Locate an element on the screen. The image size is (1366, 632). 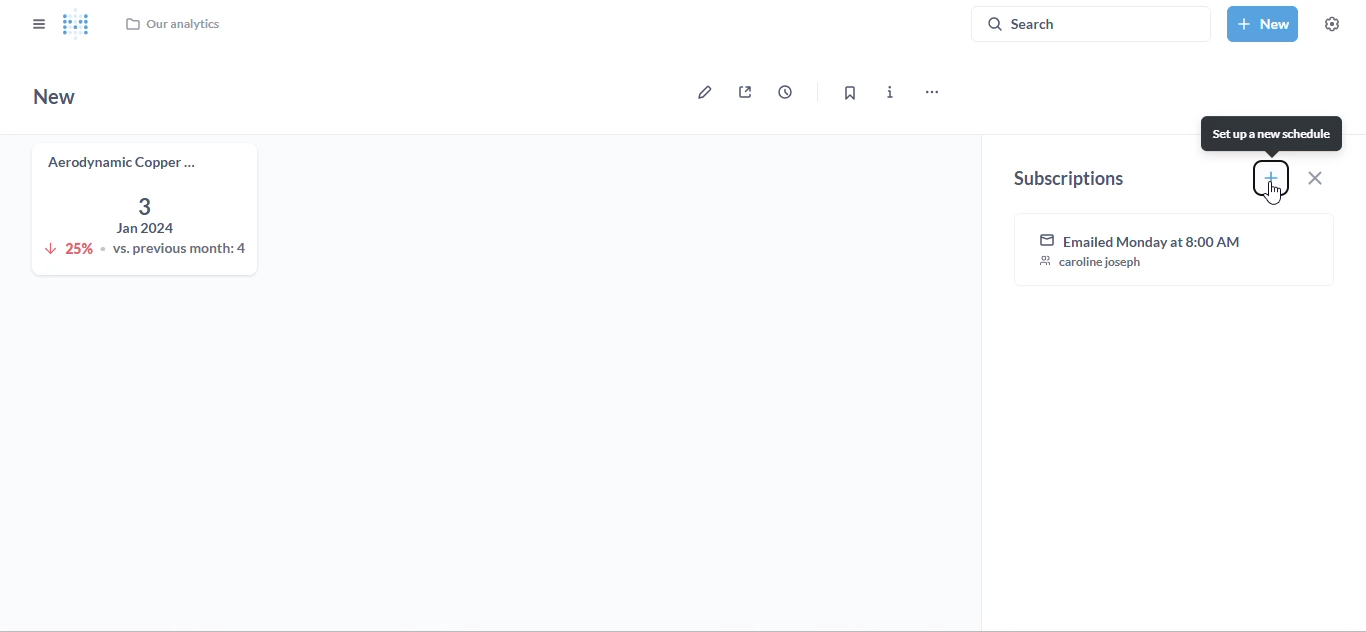
edit dashboard is located at coordinates (700, 92).